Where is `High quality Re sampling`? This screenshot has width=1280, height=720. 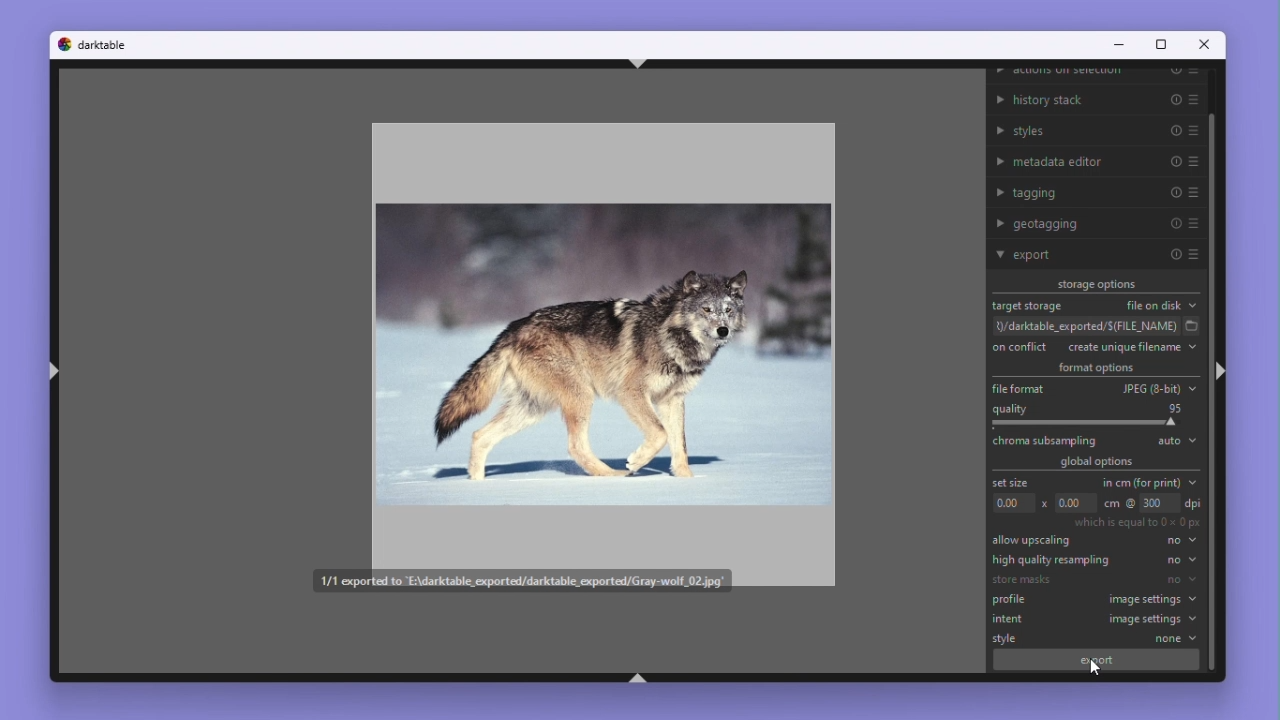 High quality Re sampling is located at coordinates (1049, 560).